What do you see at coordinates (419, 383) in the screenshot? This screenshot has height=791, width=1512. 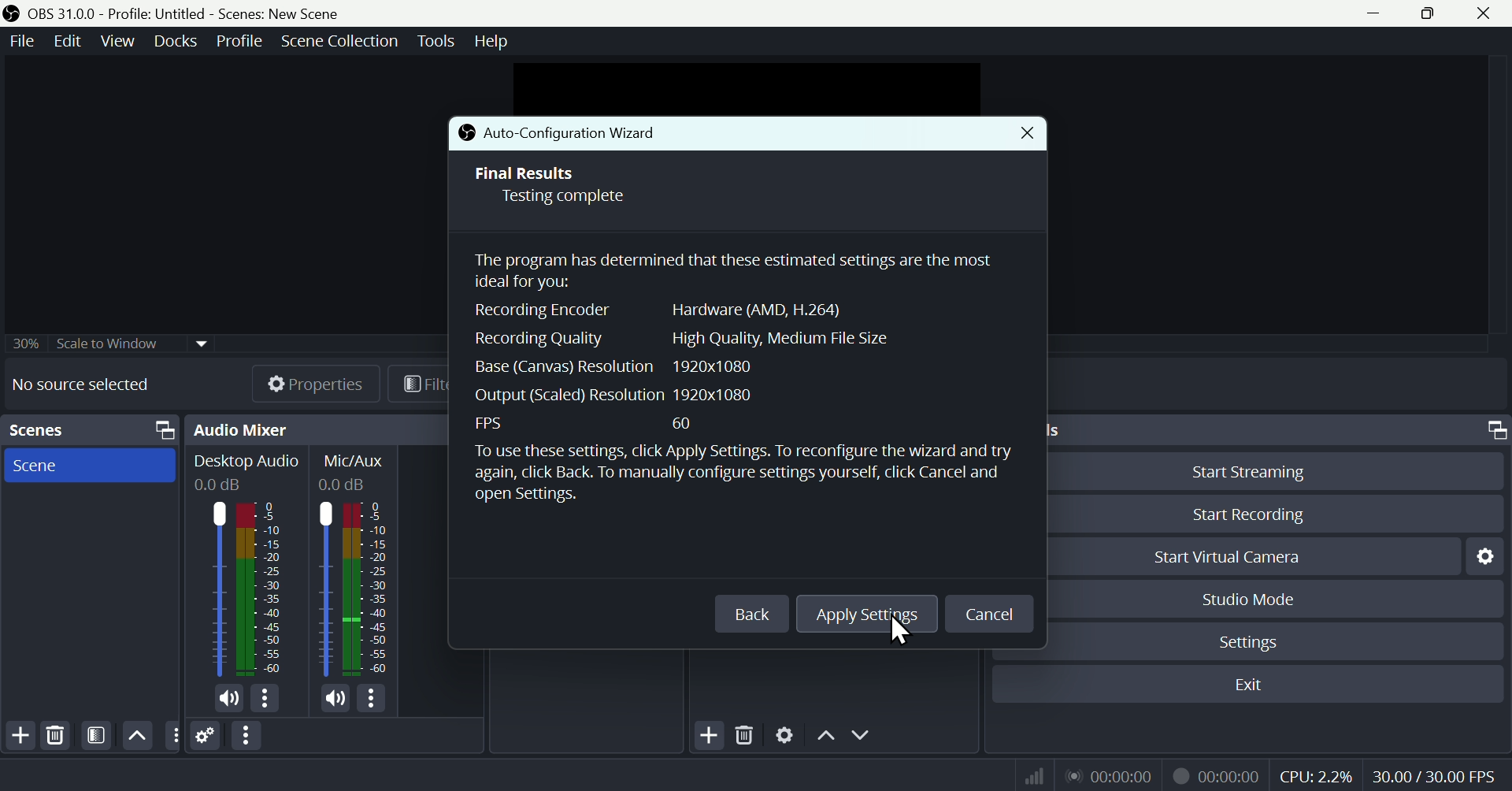 I see `Filters` at bounding box center [419, 383].